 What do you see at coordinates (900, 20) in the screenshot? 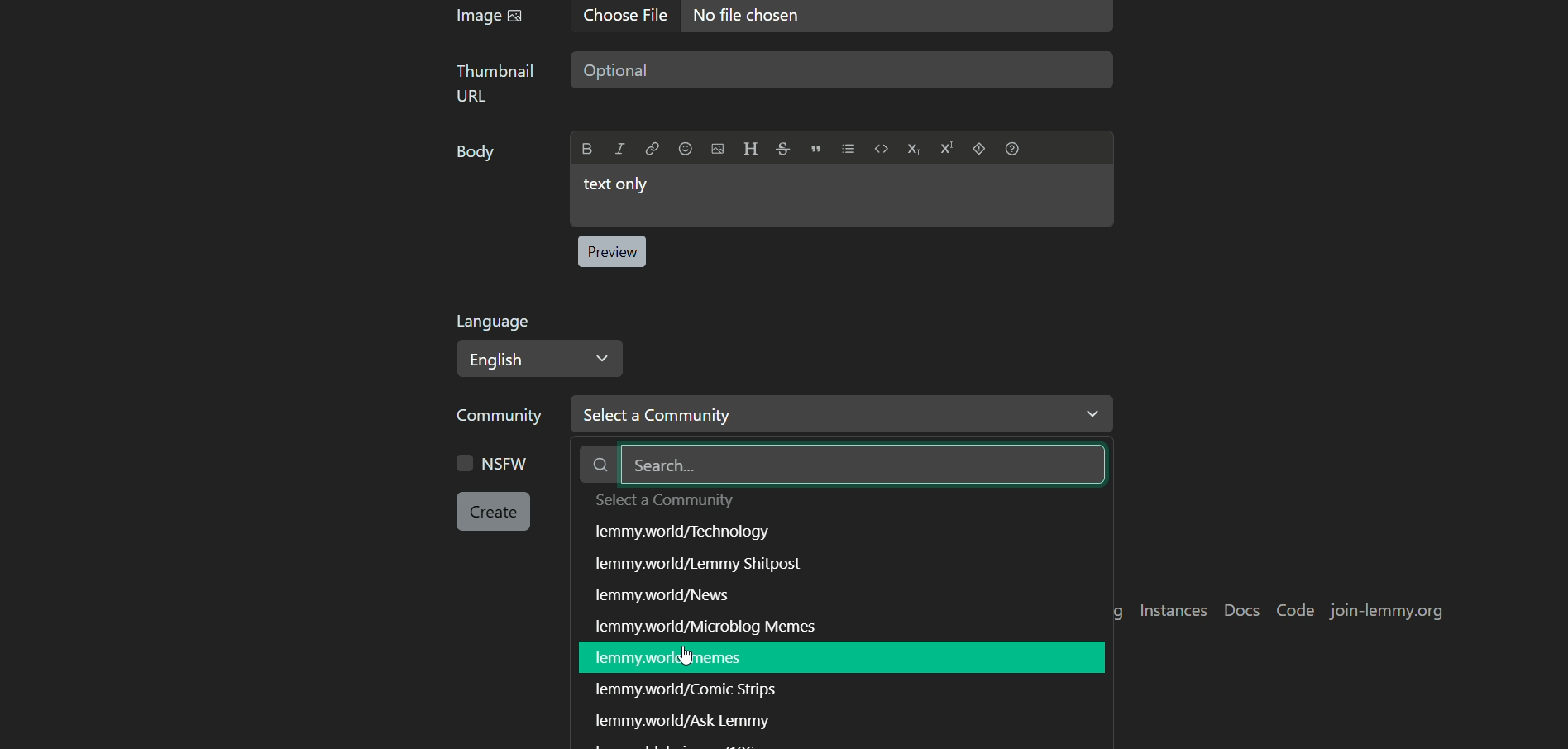
I see `text box` at bounding box center [900, 20].